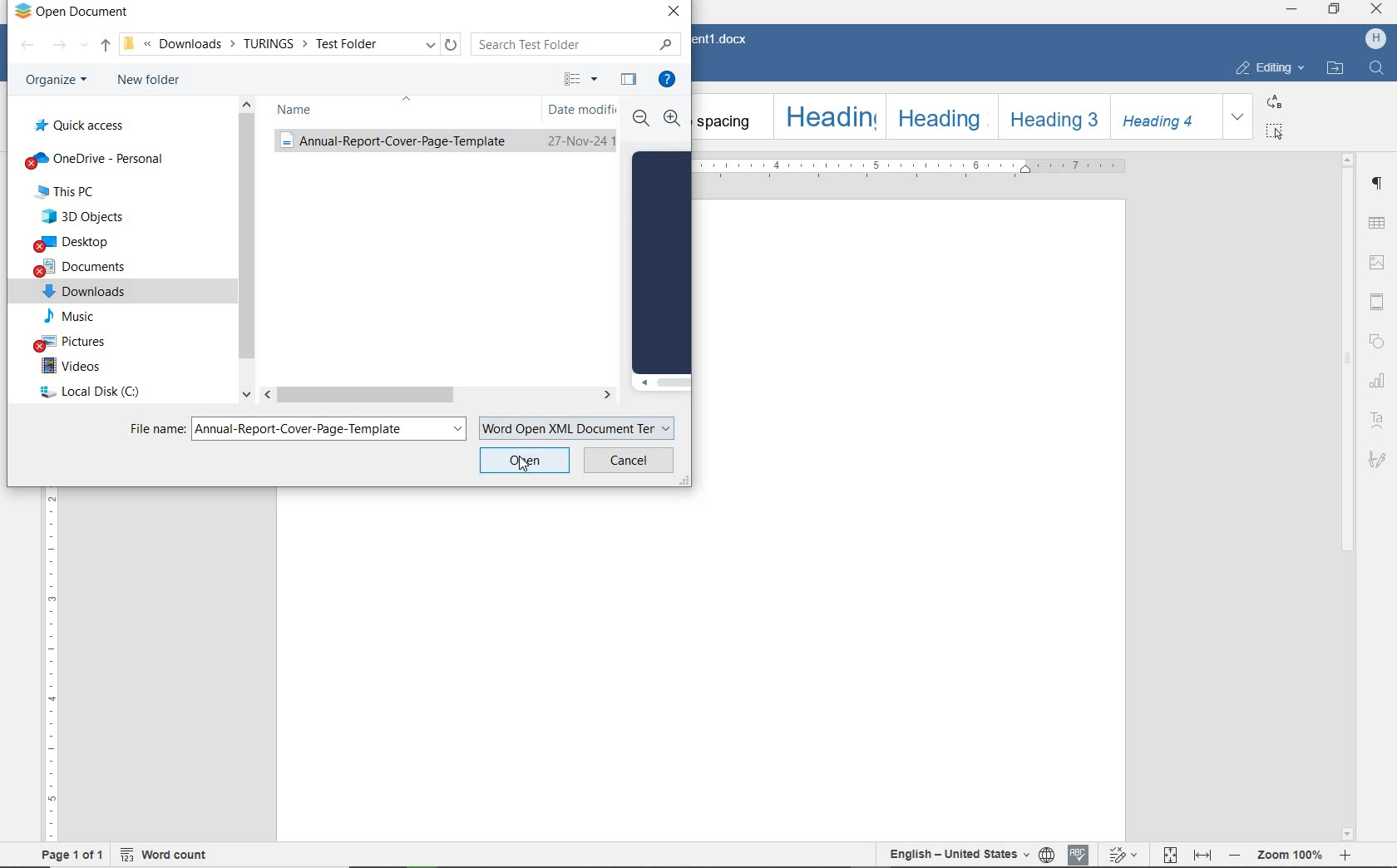 This screenshot has width=1397, height=868. I want to click on search test folder, so click(577, 43).